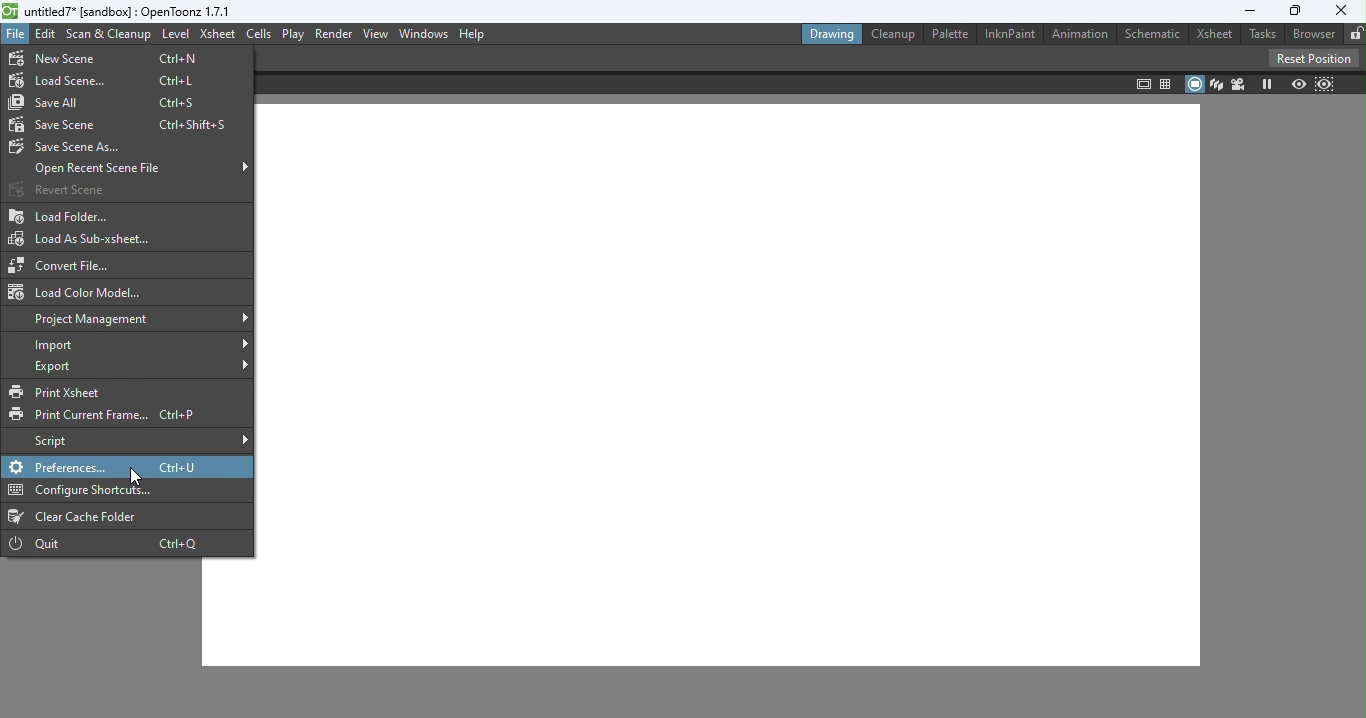 Image resolution: width=1366 pixels, height=718 pixels. Describe the element at coordinates (1311, 57) in the screenshot. I see `Reset position` at that location.